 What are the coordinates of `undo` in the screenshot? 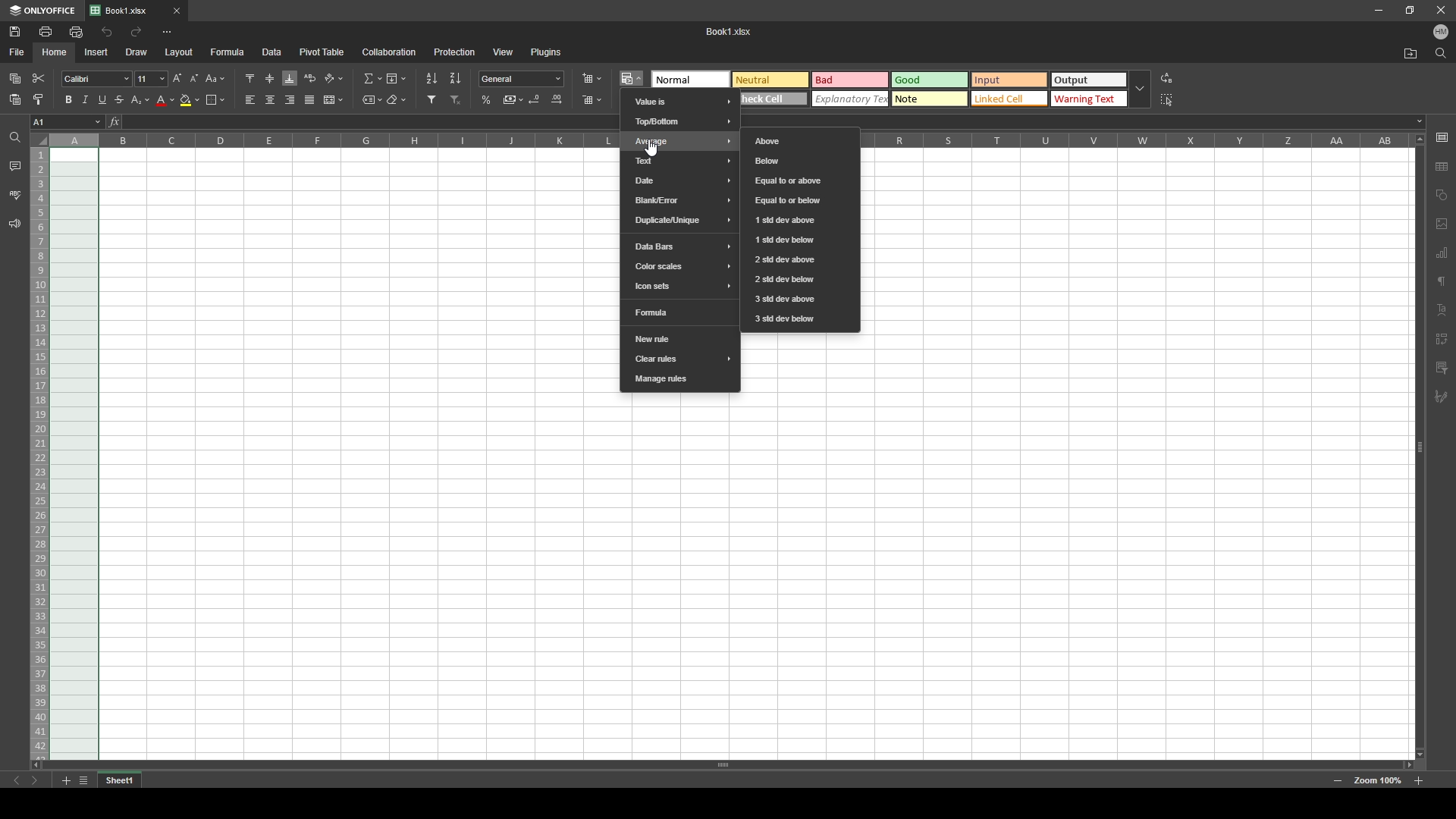 It's located at (107, 33).